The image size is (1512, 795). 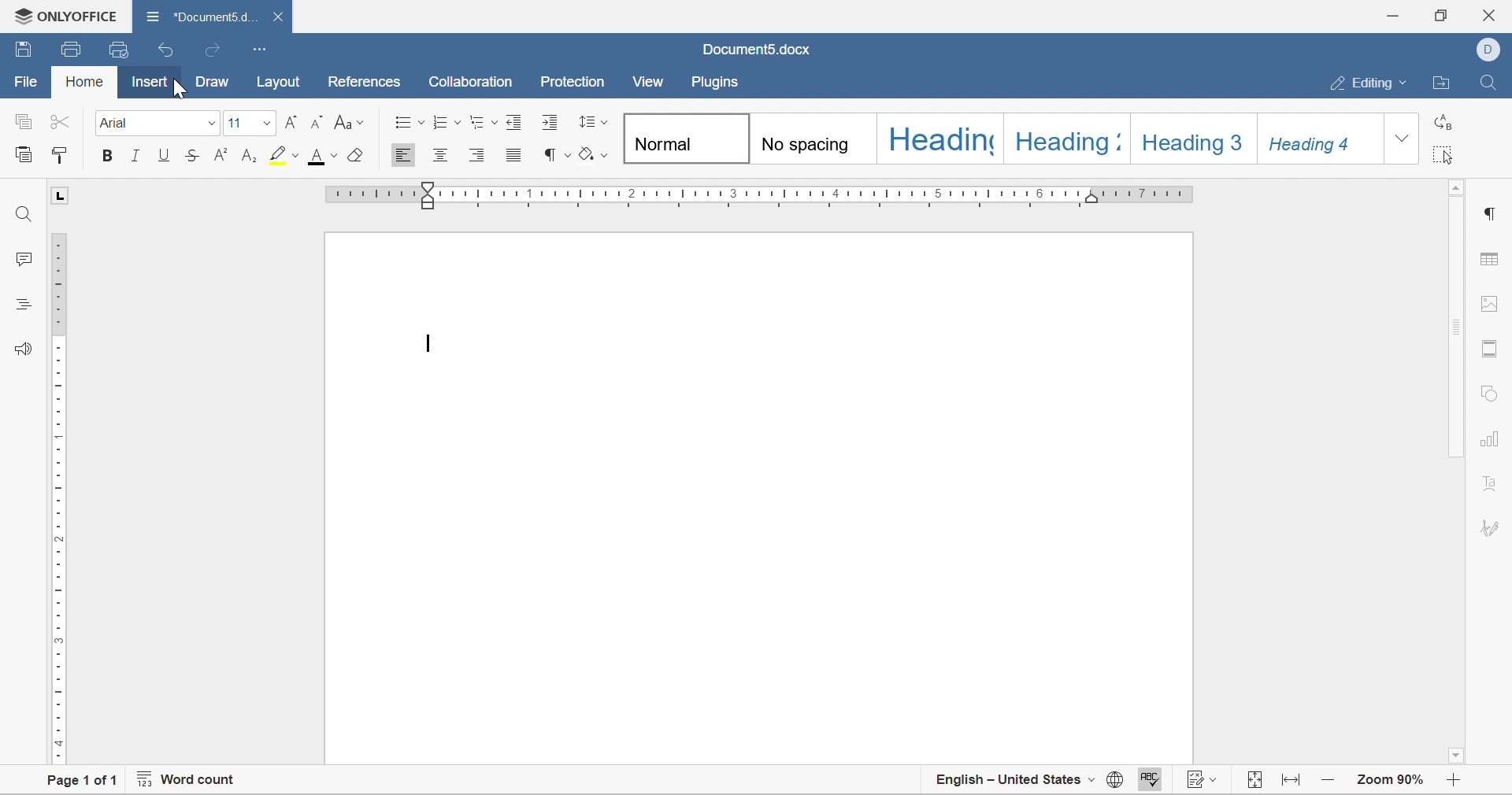 I want to click on scroll bar, so click(x=1458, y=326).